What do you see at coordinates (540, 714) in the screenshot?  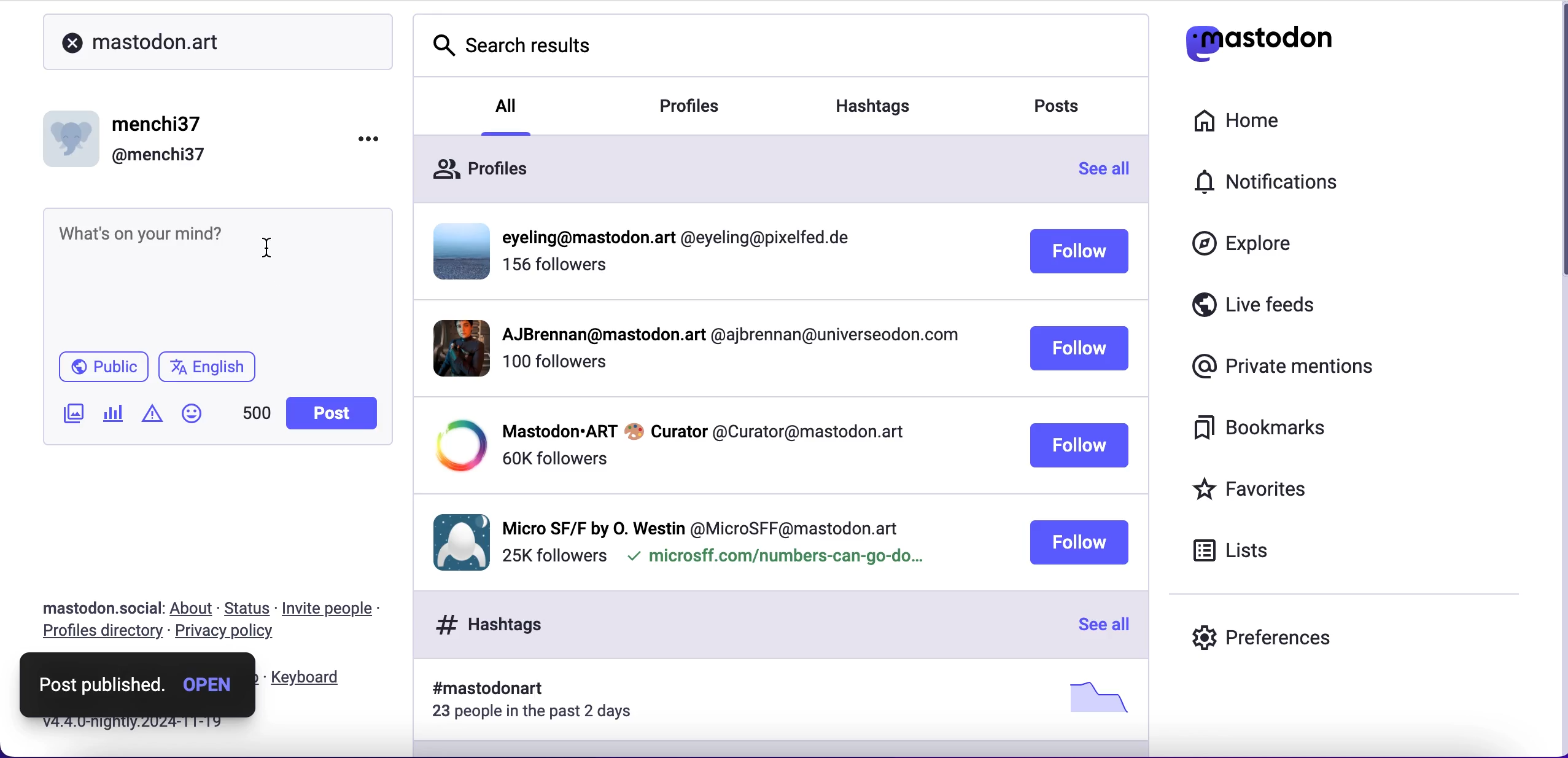 I see `23 people in the past 2 days` at bounding box center [540, 714].